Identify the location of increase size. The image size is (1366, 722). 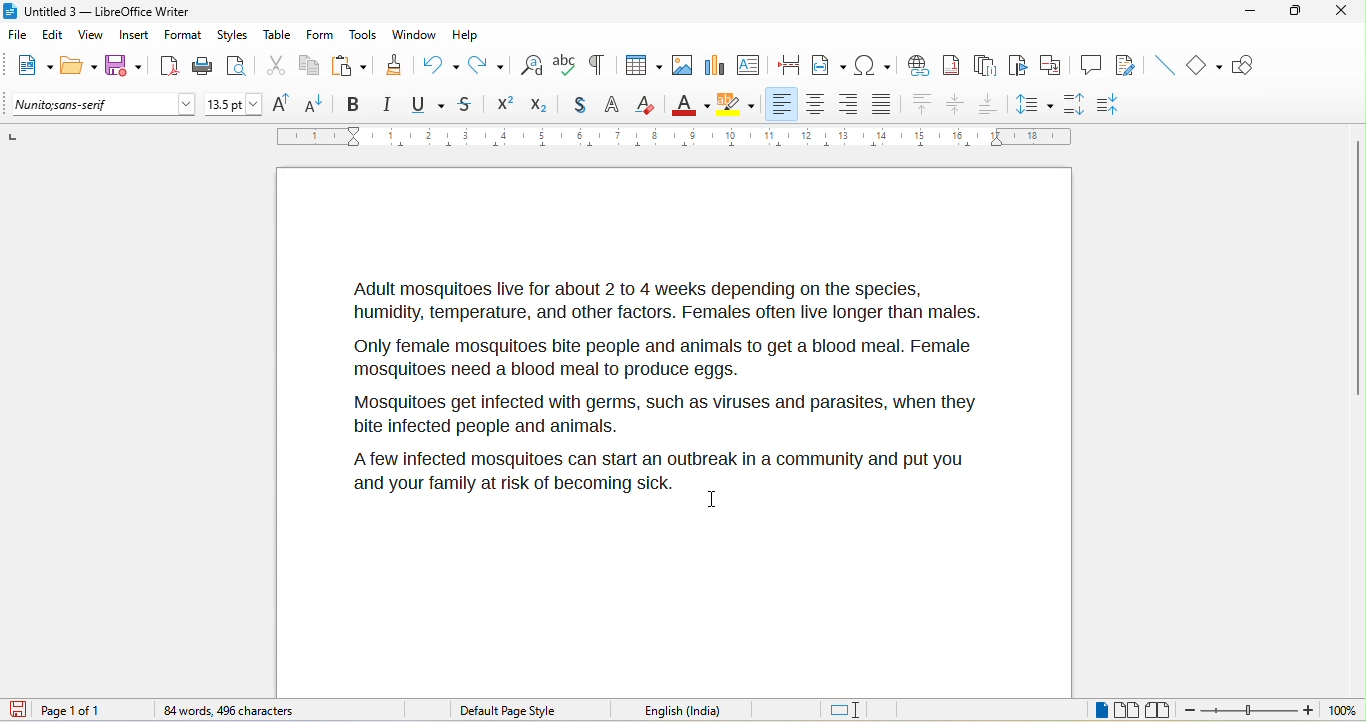
(278, 103).